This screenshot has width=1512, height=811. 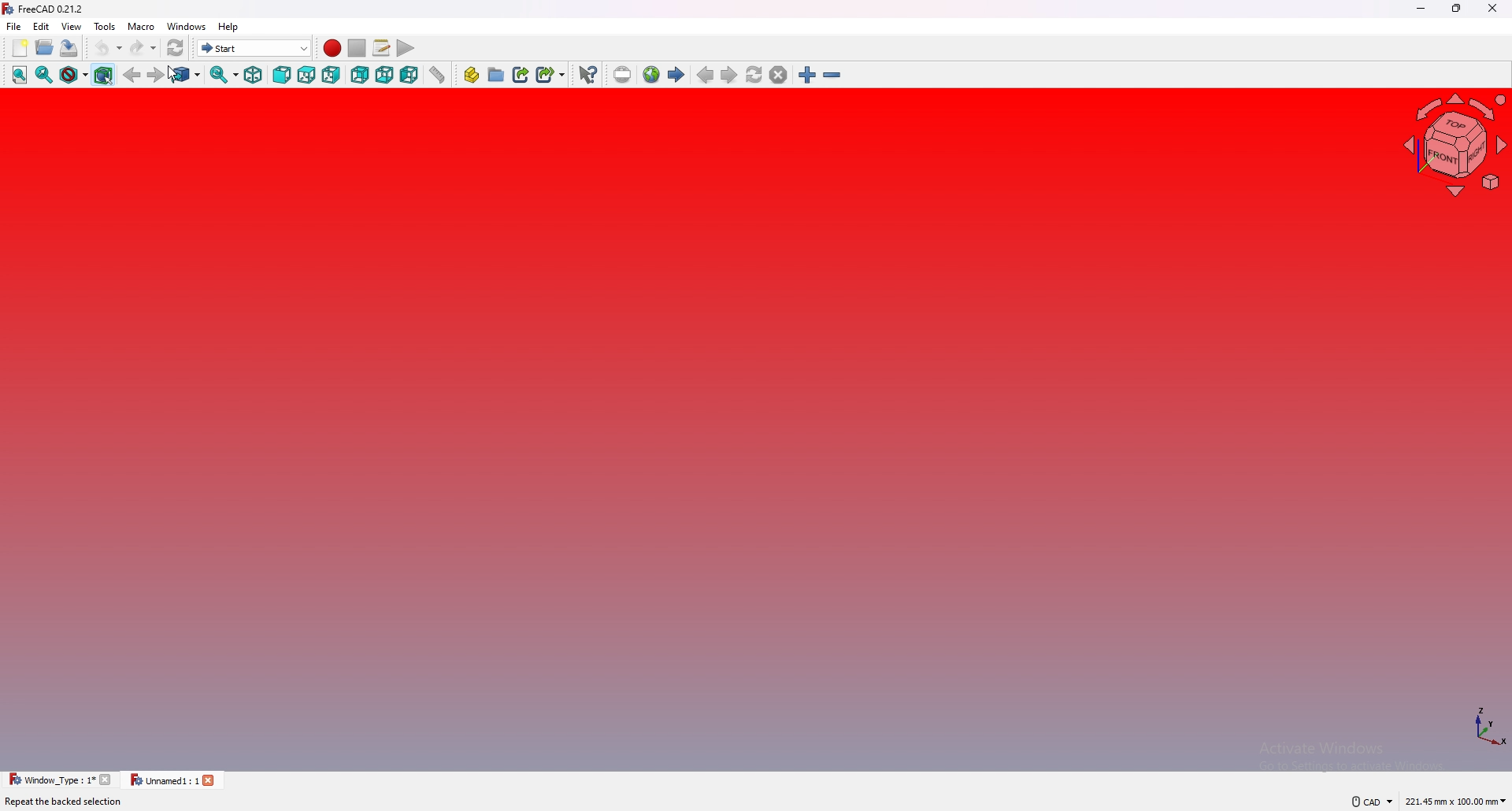 I want to click on tools, so click(x=105, y=25).